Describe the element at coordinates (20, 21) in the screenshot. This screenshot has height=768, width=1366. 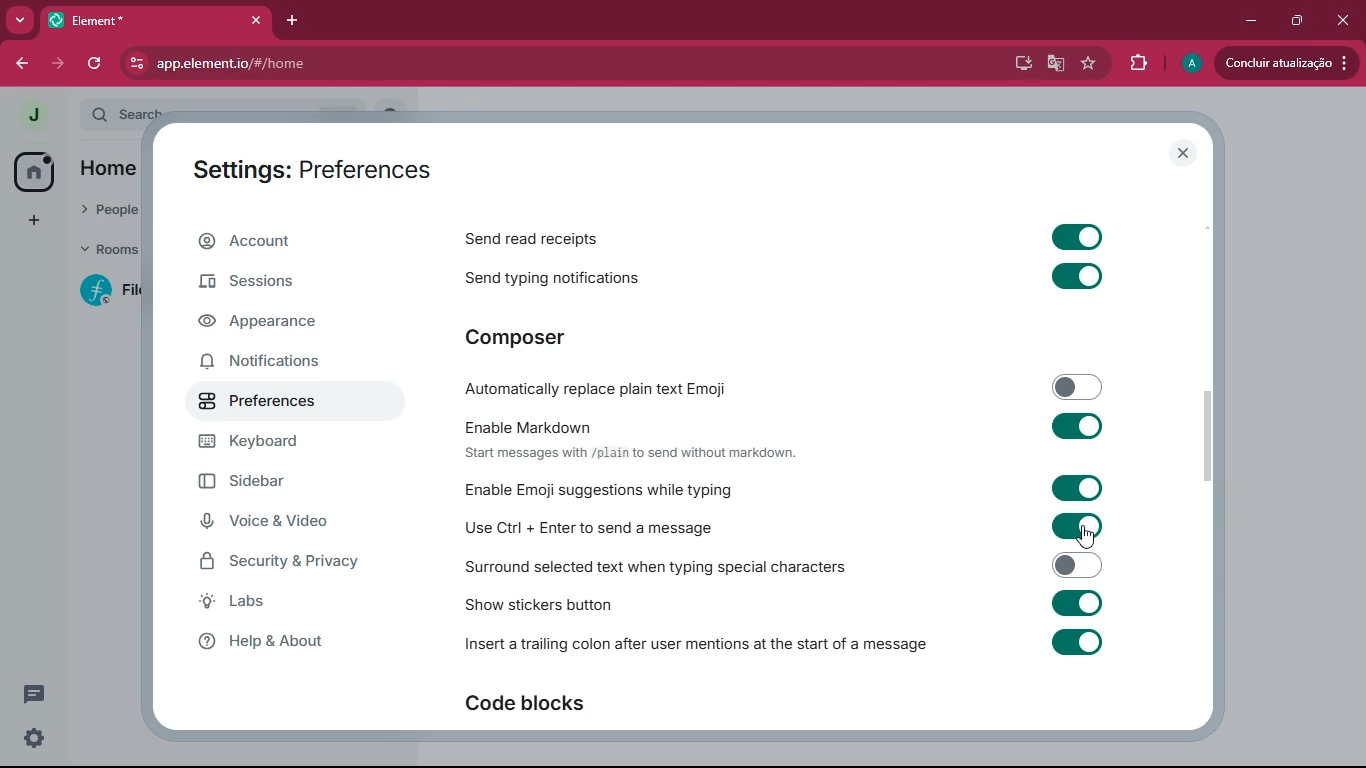
I see `more` at that location.